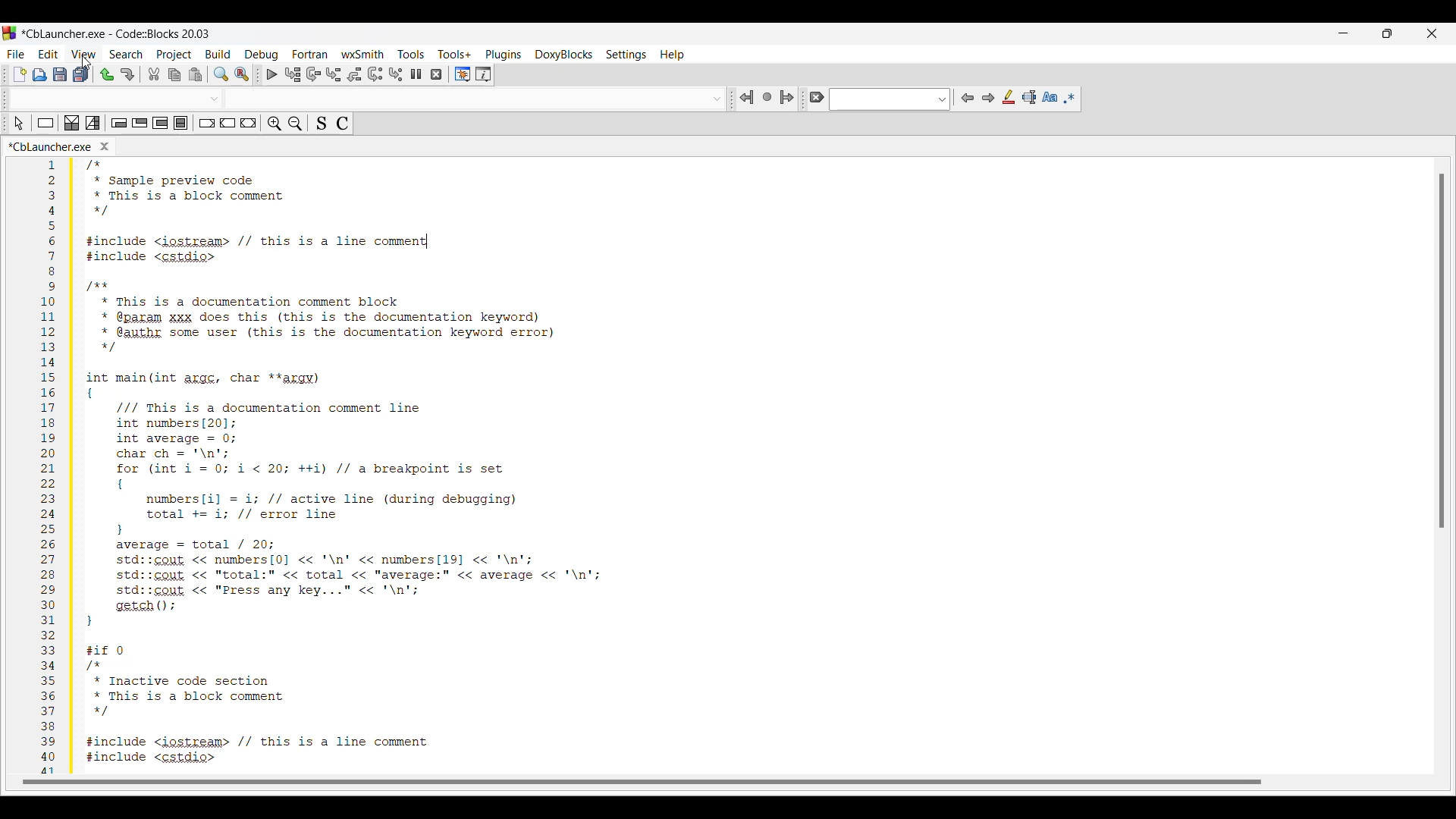 This screenshot has height=819, width=1456. Describe the element at coordinates (787, 97) in the screenshot. I see `Jump forward` at that location.